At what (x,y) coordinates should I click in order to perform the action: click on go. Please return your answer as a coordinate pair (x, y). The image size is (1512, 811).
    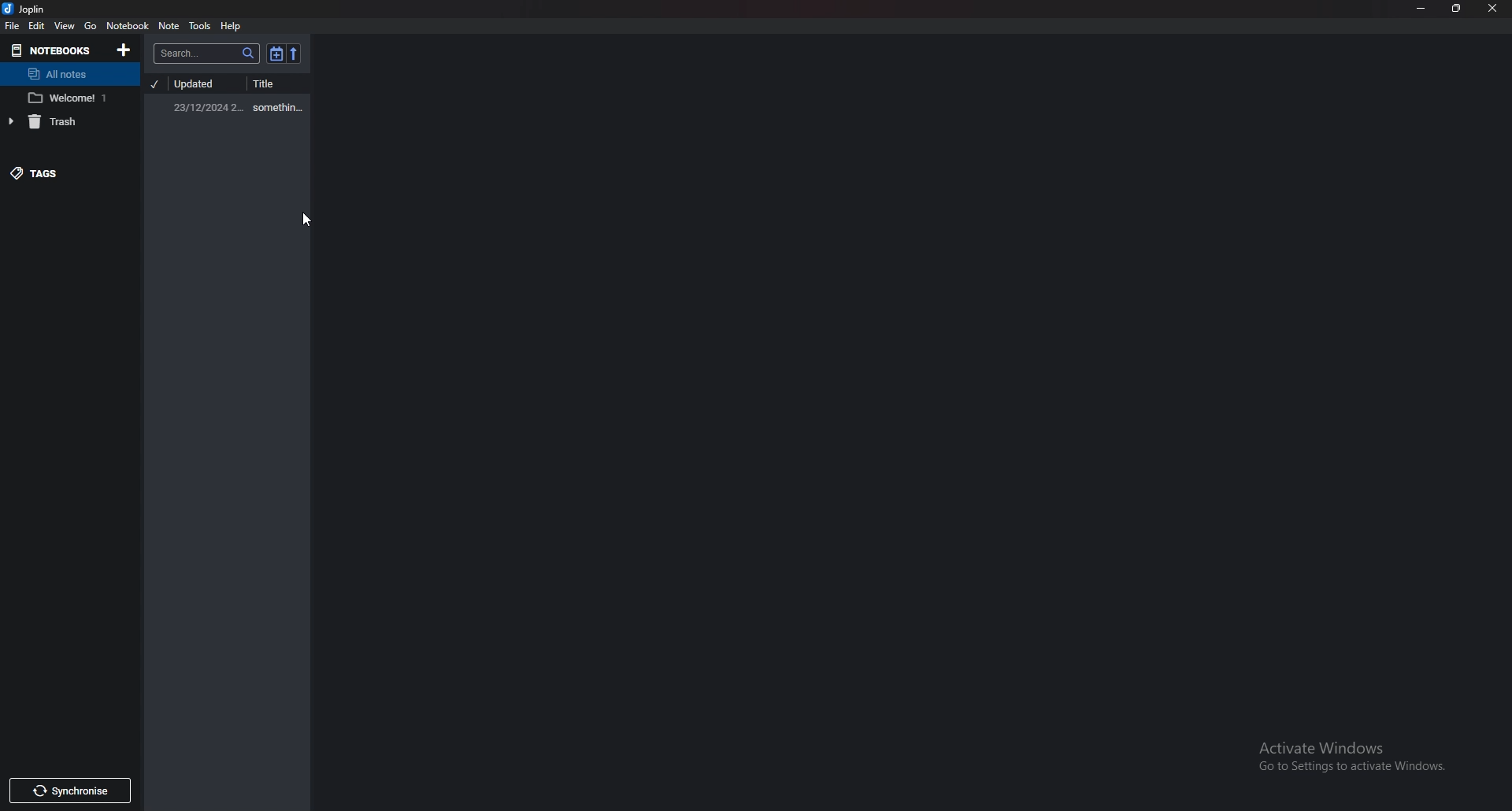
    Looking at the image, I should click on (91, 25).